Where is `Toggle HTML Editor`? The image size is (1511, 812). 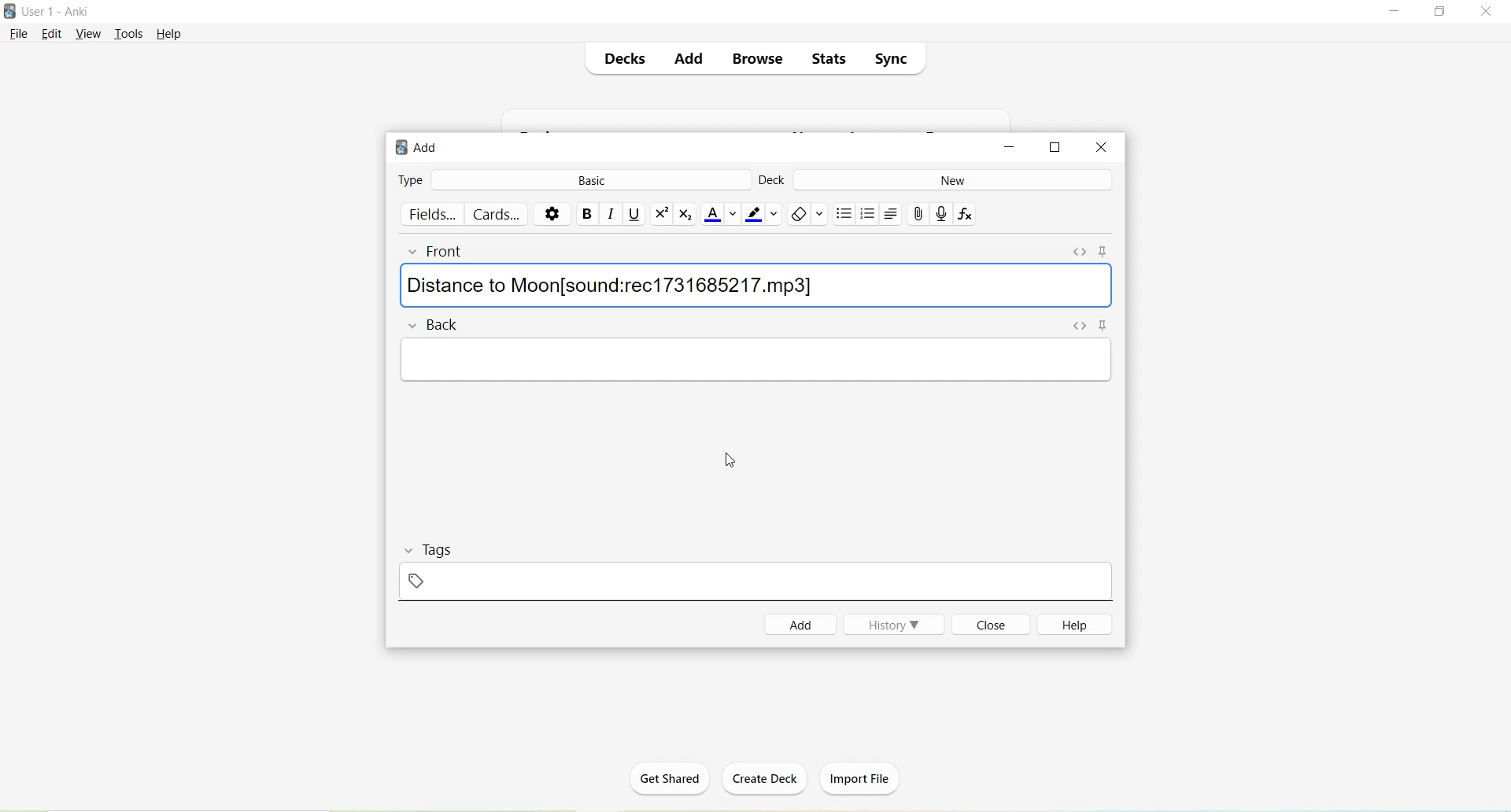
Toggle HTML Editor is located at coordinates (1080, 253).